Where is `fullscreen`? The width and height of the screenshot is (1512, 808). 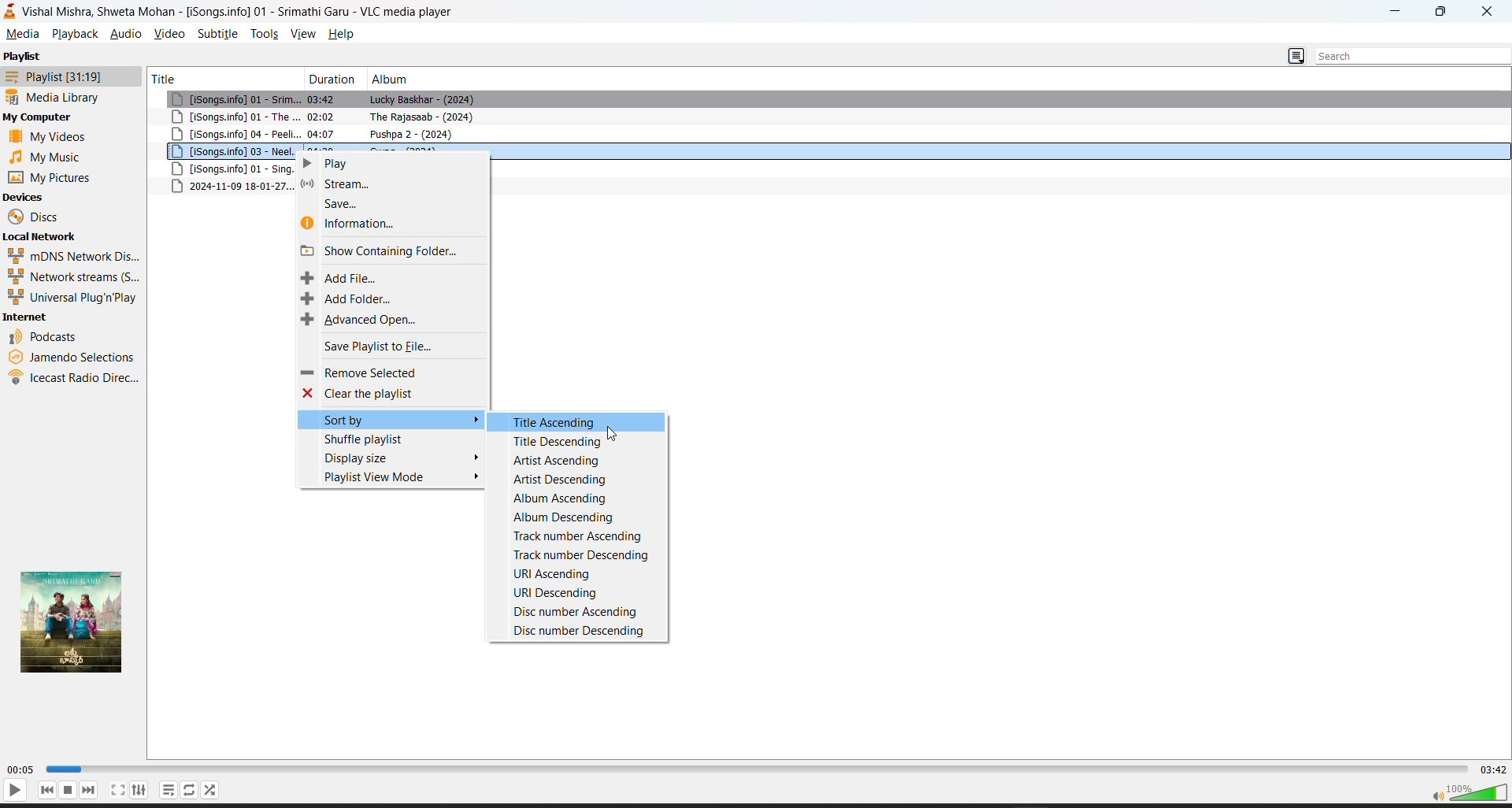
fullscreen is located at coordinates (117, 790).